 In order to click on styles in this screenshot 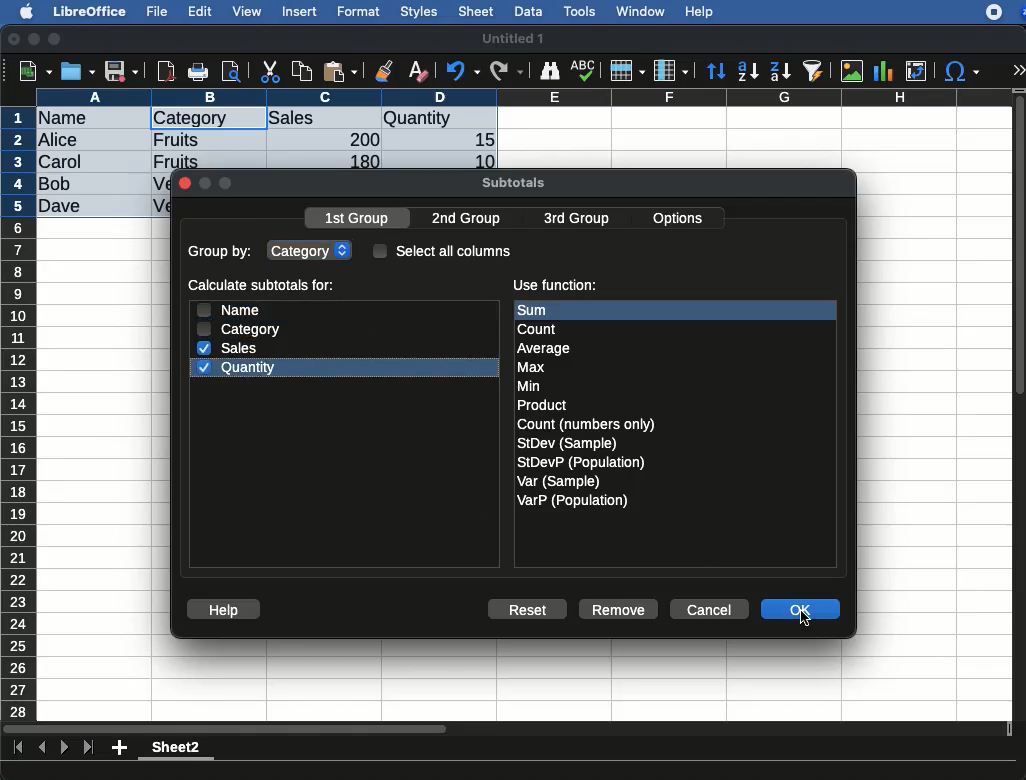, I will do `click(417, 14)`.